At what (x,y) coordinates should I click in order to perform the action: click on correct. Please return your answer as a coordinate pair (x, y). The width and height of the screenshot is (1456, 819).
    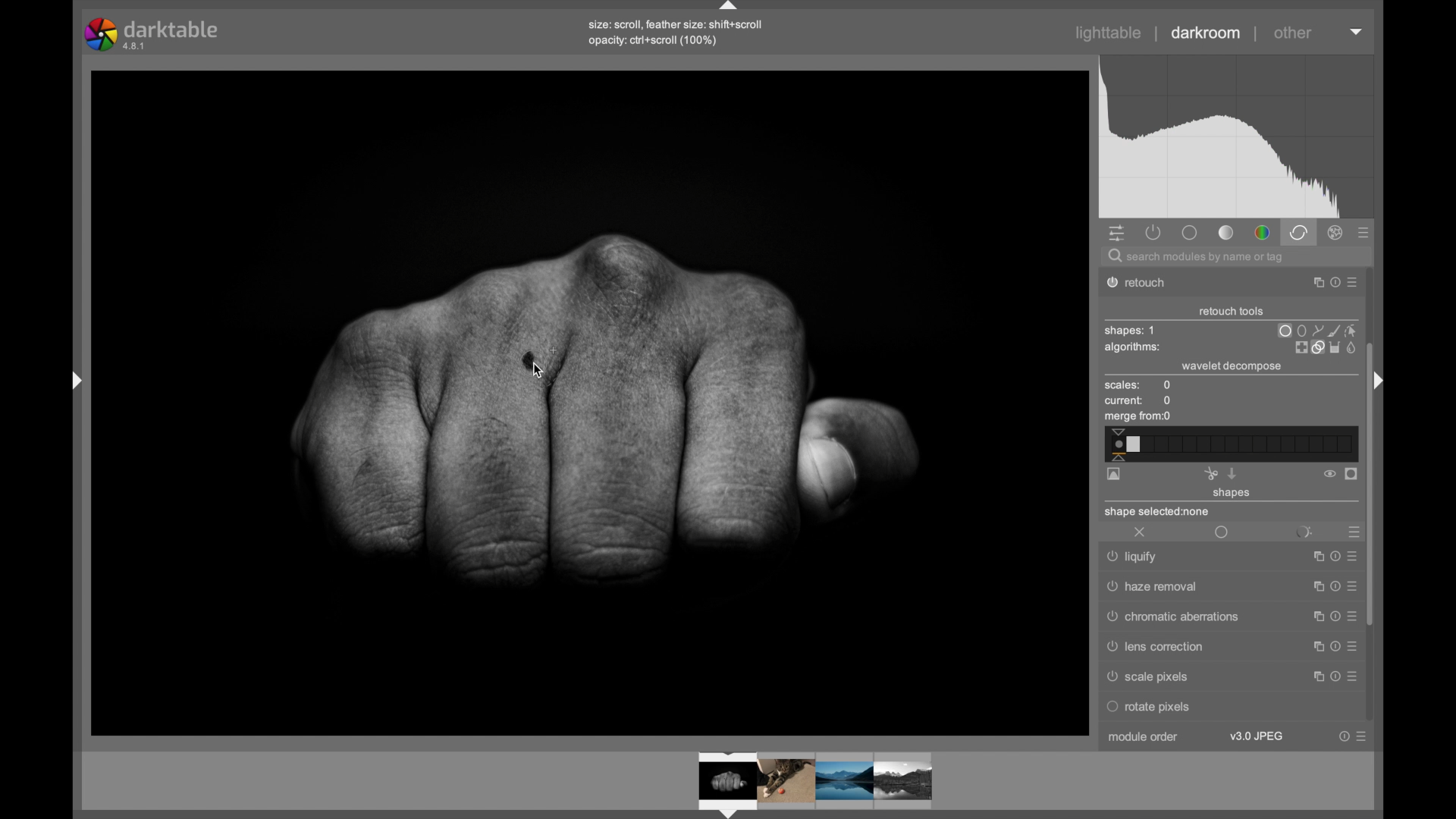
    Looking at the image, I should click on (1298, 232).